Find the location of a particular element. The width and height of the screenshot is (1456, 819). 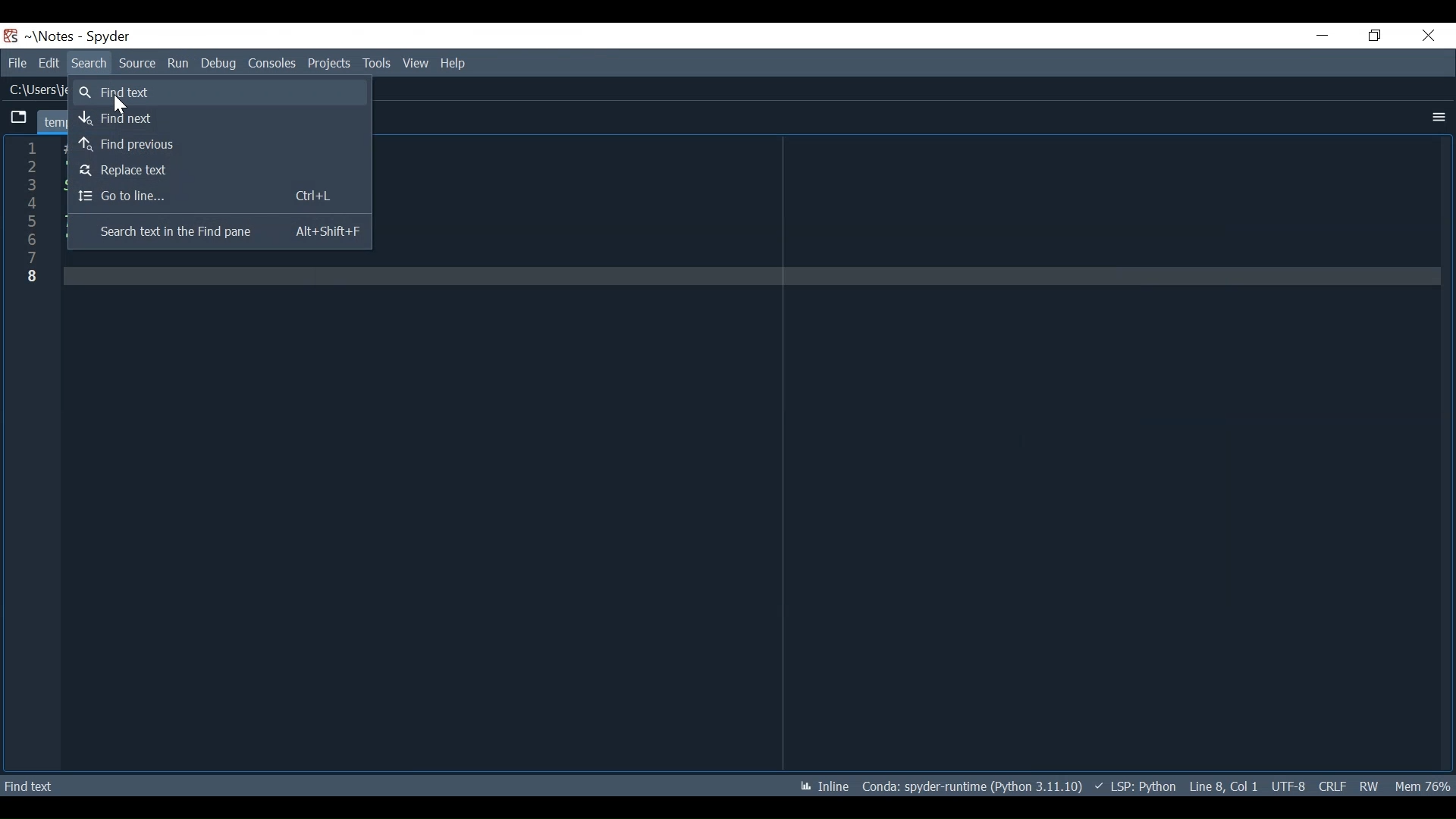

Spyder Desktop Icon is located at coordinates (12, 36).